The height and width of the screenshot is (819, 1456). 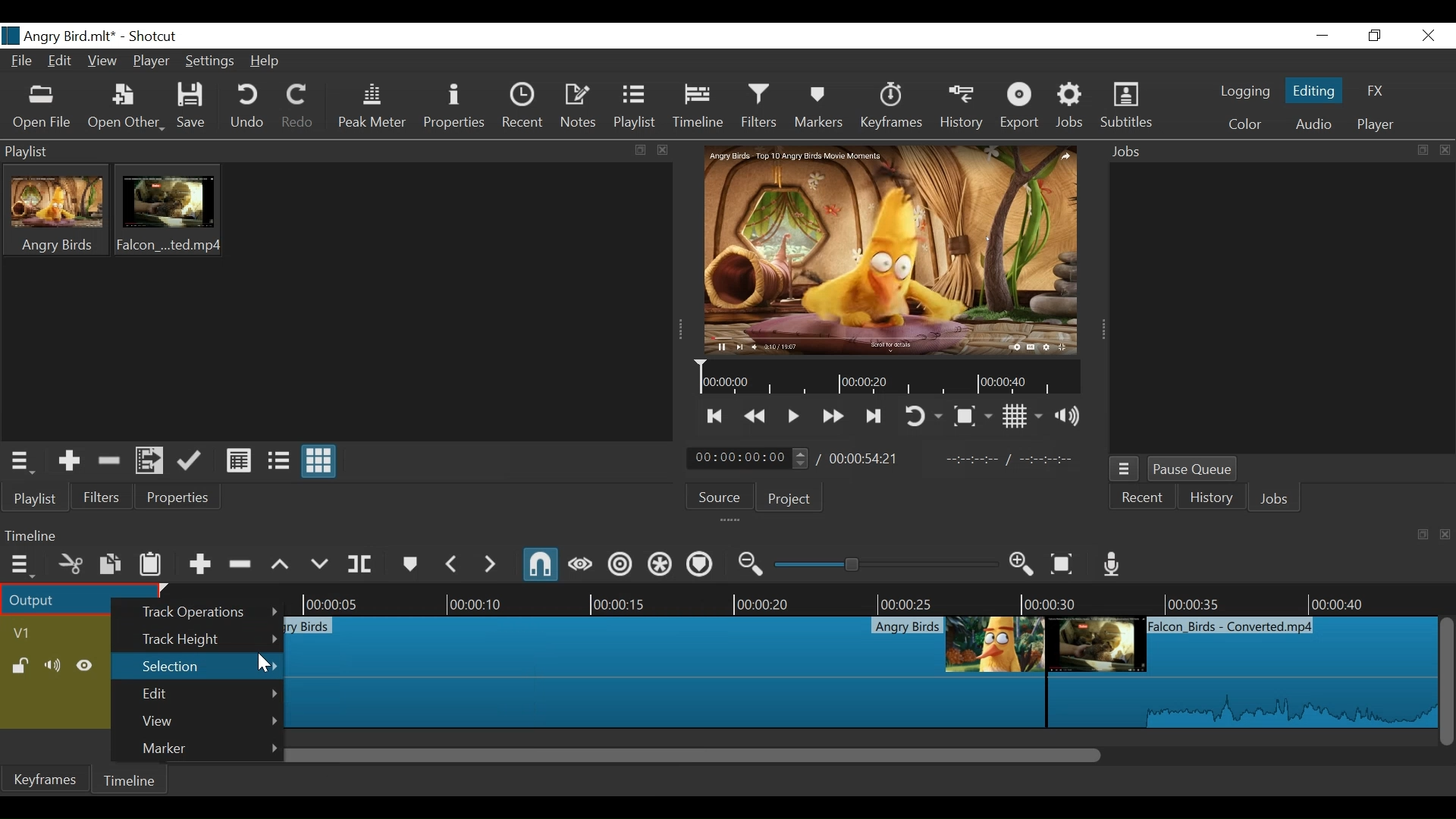 I want to click on Audio, so click(x=1313, y=124).